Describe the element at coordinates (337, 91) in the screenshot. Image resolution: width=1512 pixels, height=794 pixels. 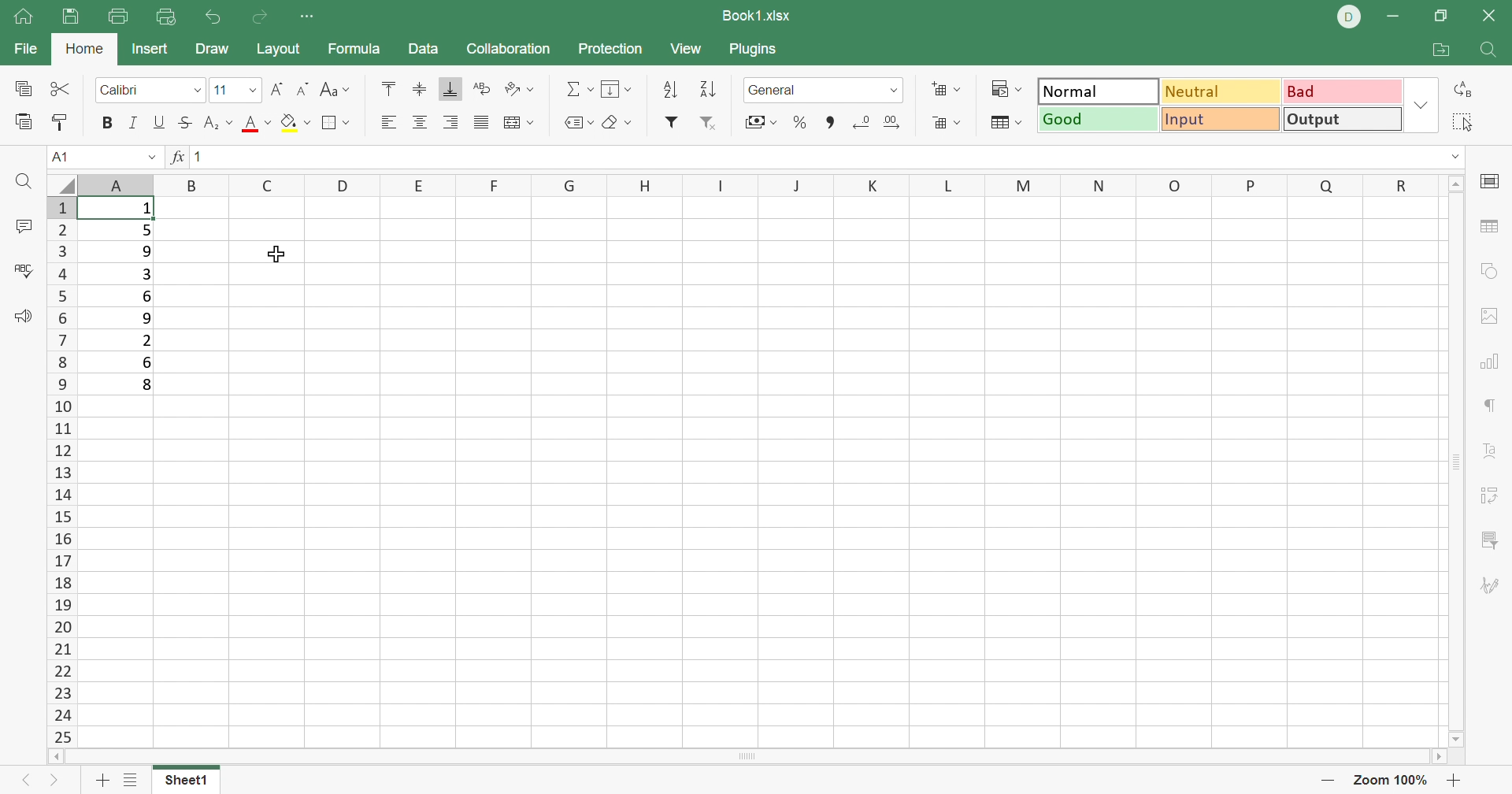
I see `Change case` at that location.